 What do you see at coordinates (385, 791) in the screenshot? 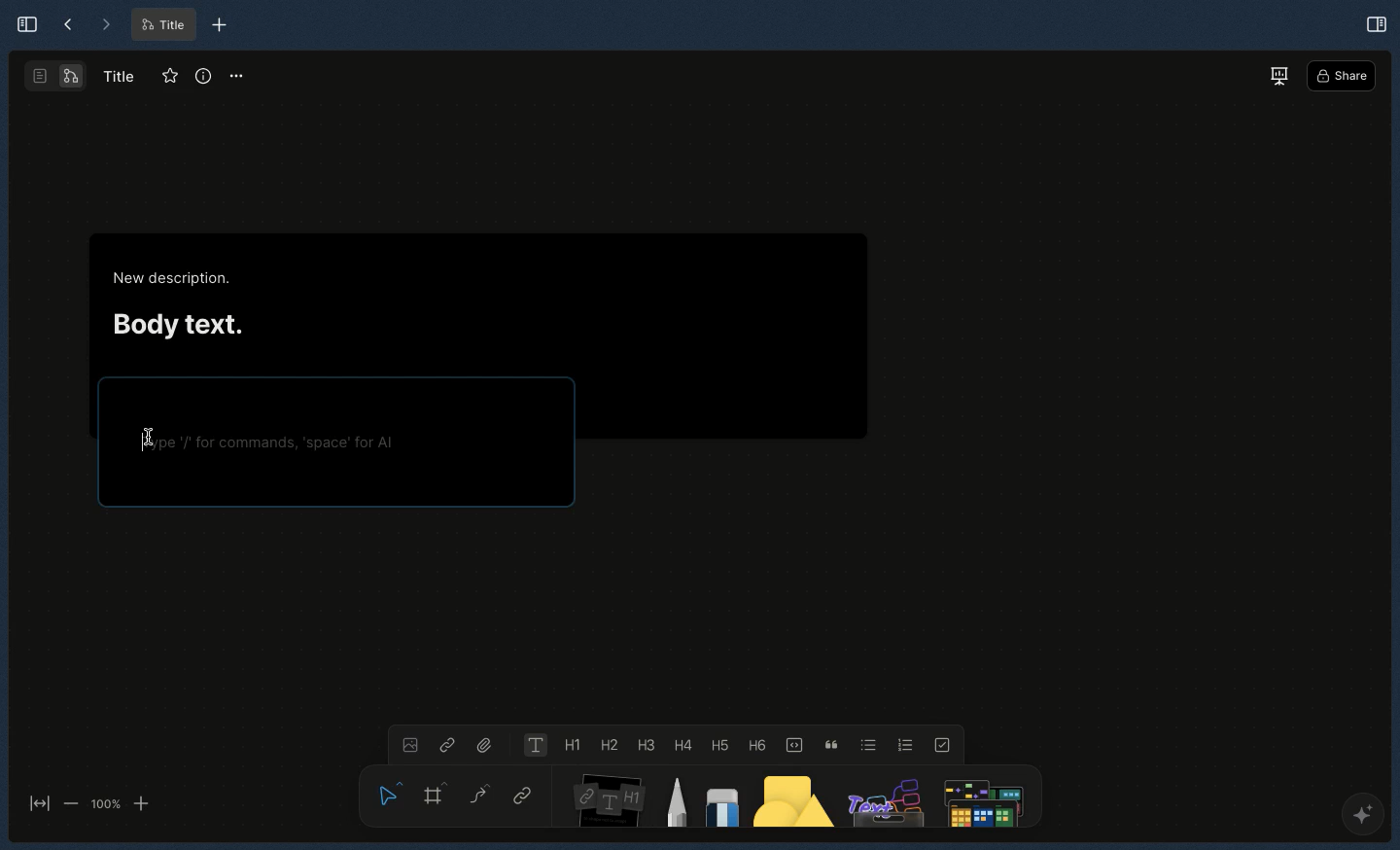
I see `Hand` at bounding box center [385, 791].